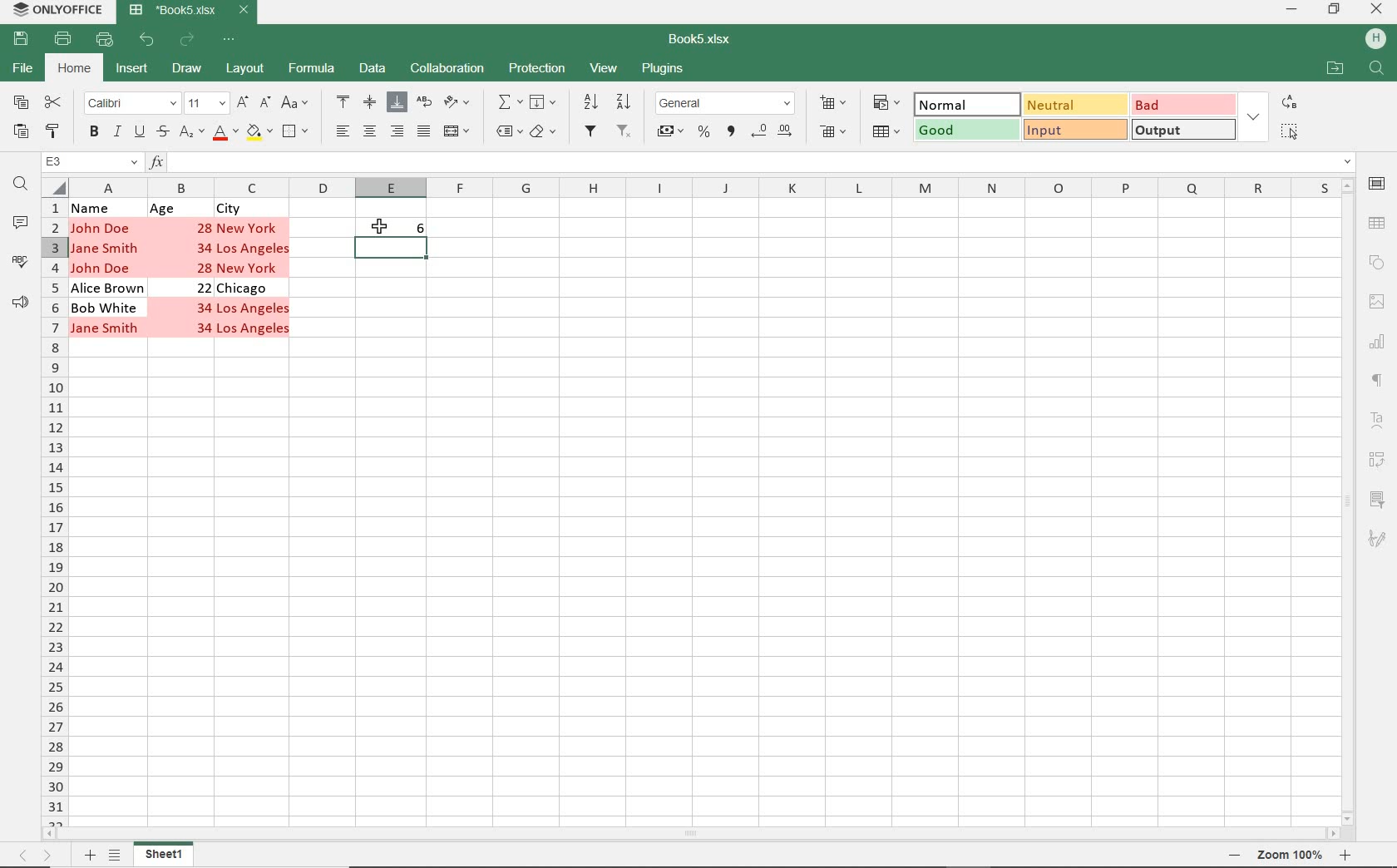 This screenshot has width=1397, height=868. I want to click on INPUT, so click(1074, 129).